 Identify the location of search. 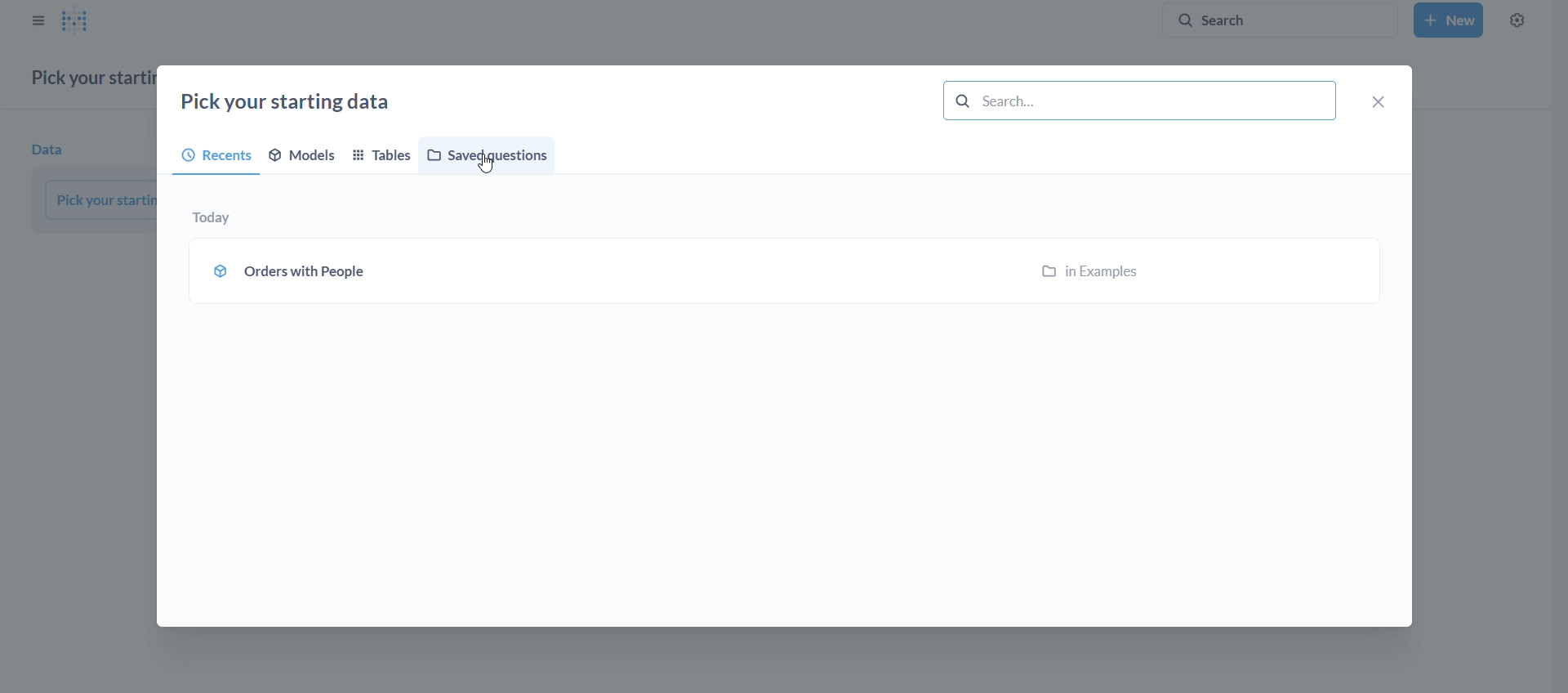
(1271, 20).